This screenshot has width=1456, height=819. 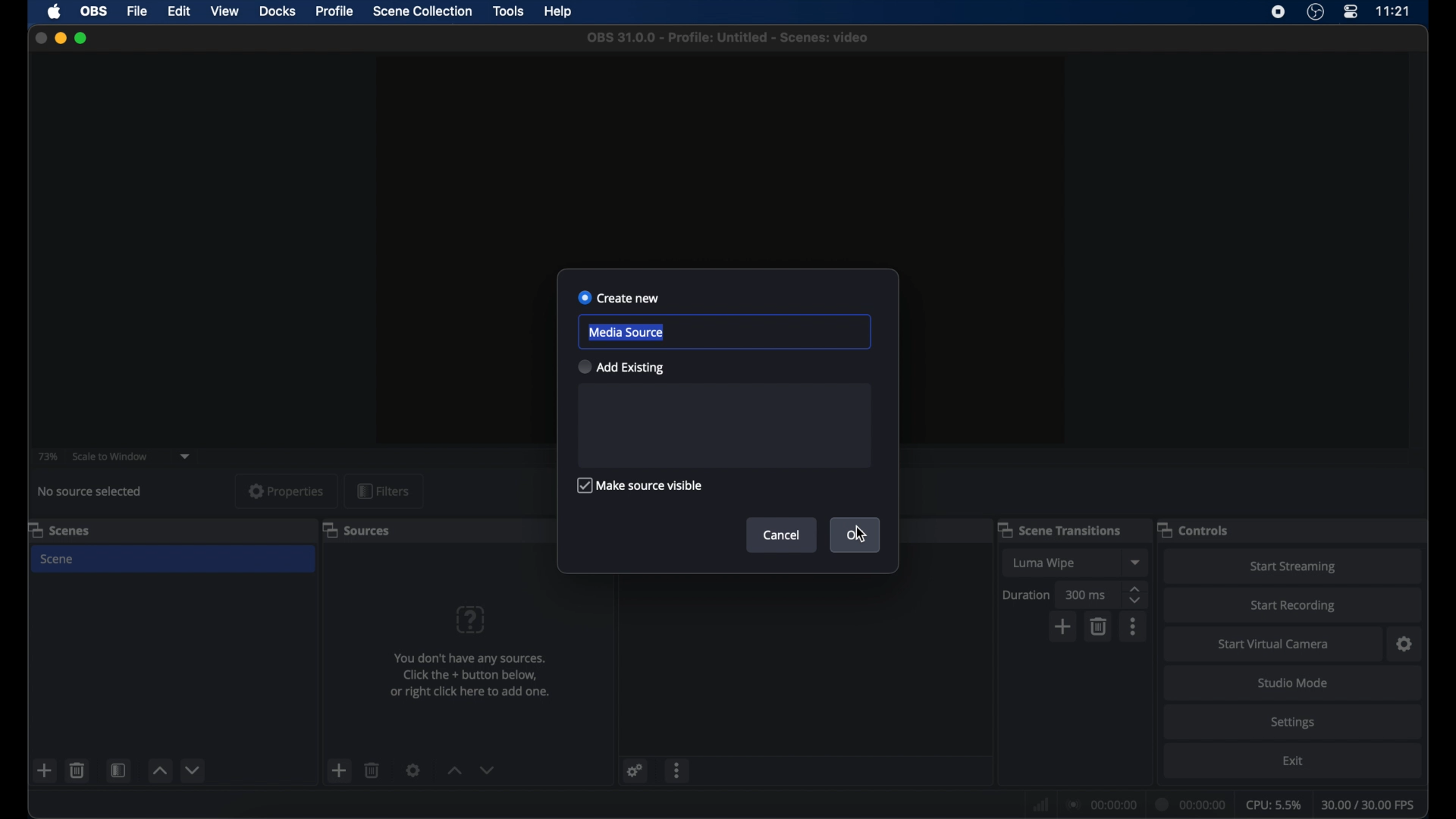 I want to click on docks, so click(x=278, y=11).